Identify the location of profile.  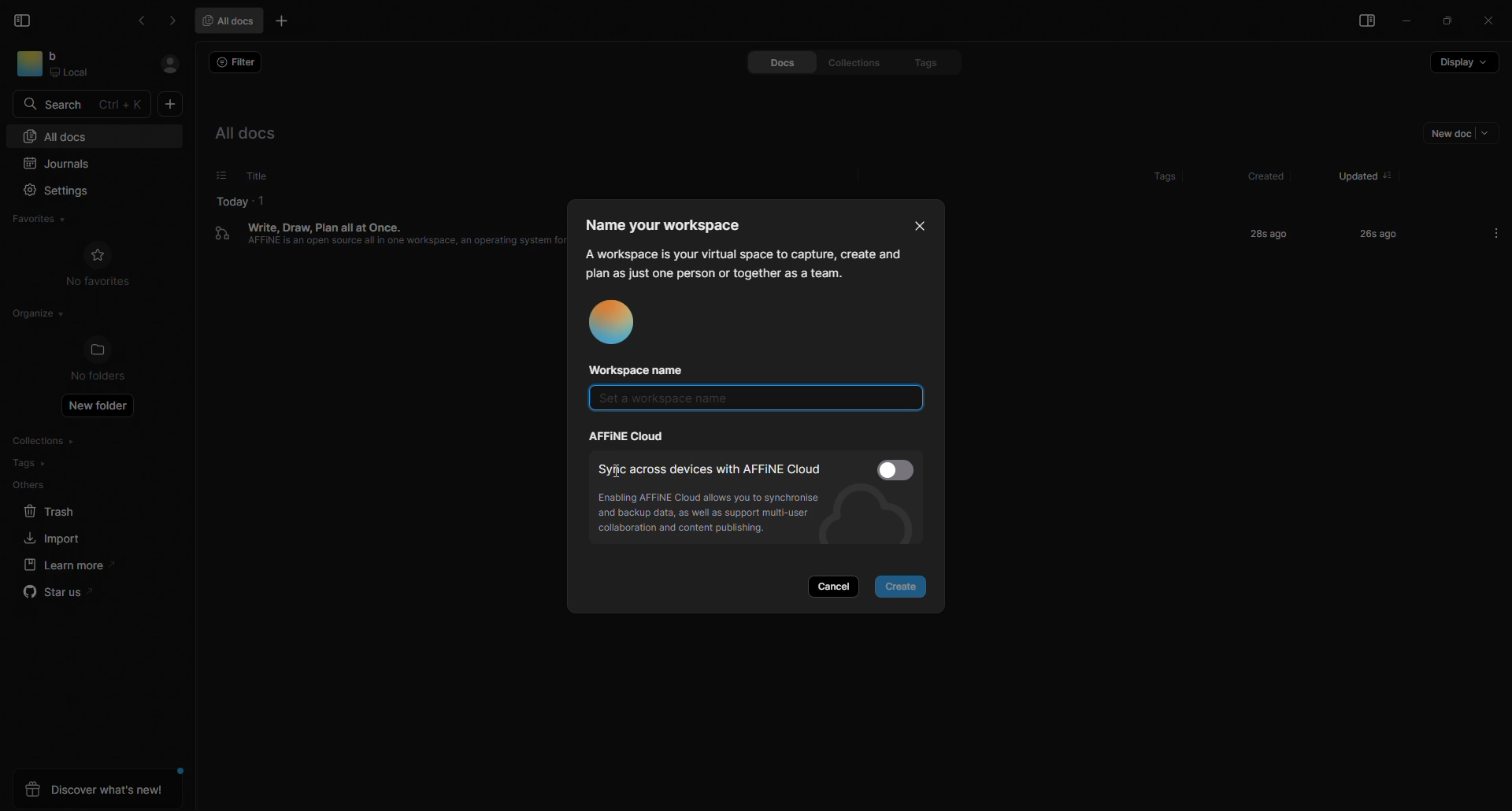
(617, 324).